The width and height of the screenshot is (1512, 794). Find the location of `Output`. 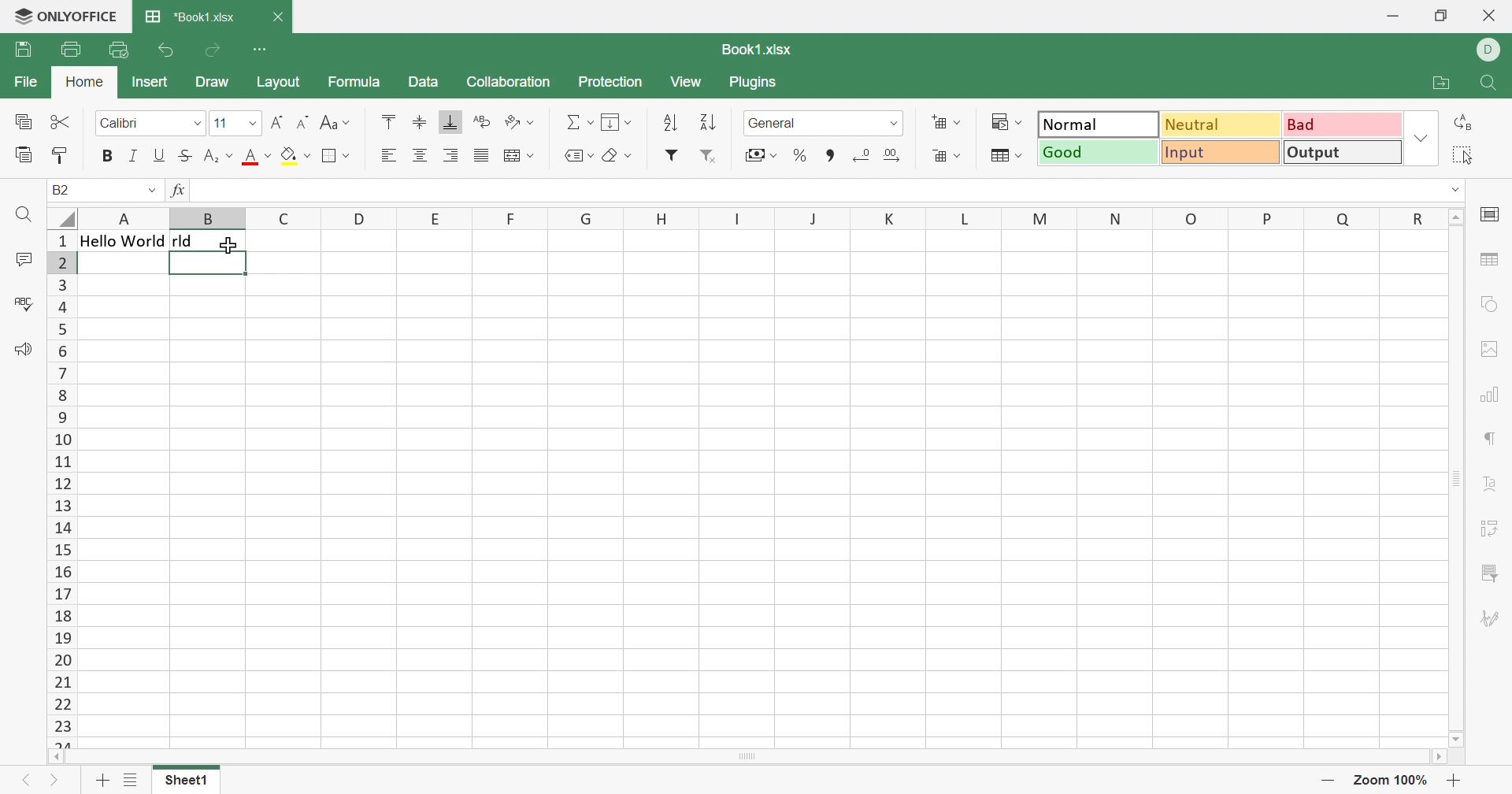

Output is located at coordinates (1342, 152).